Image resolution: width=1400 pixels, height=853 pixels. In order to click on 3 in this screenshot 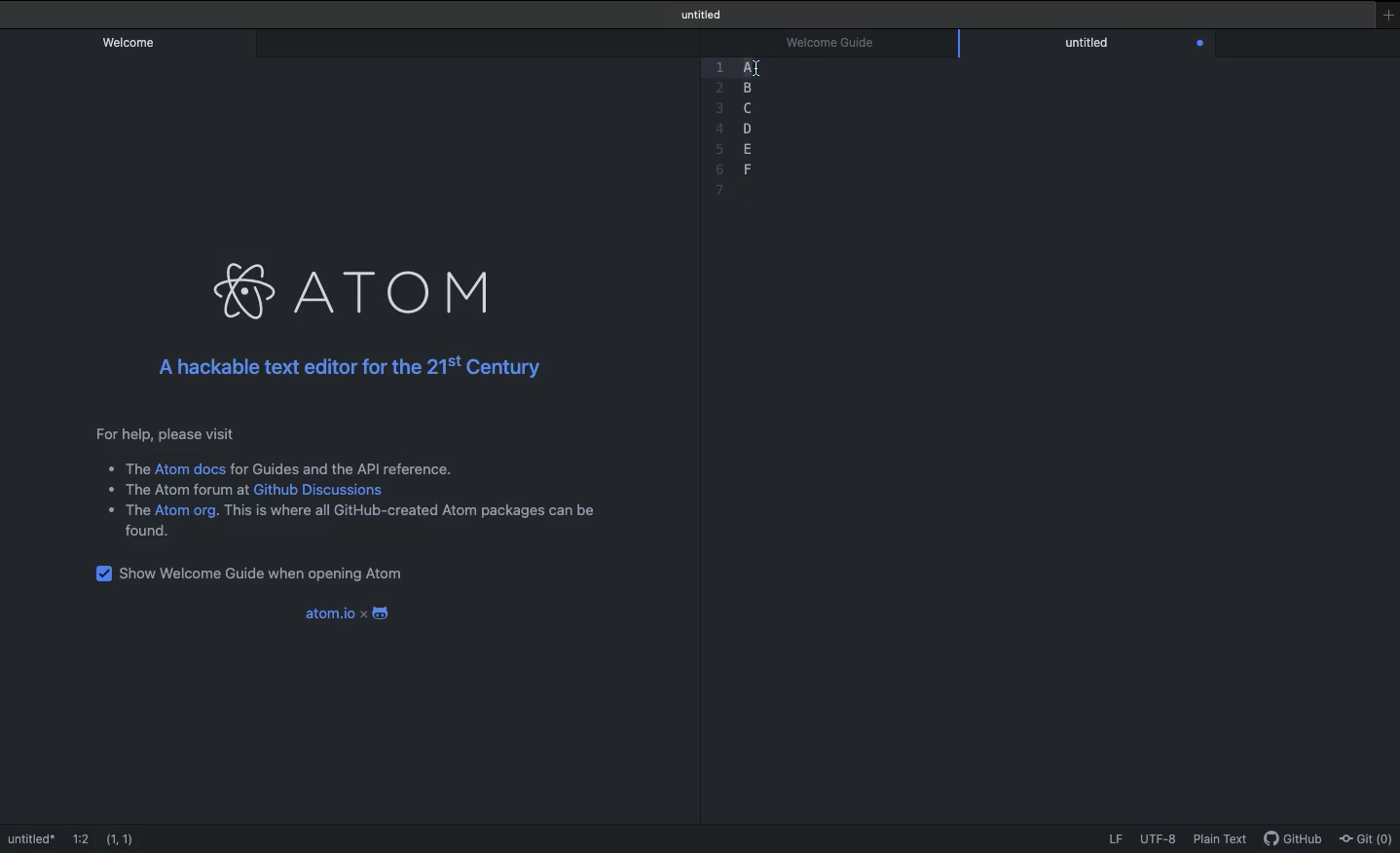, I will do `click(718, 108)`.